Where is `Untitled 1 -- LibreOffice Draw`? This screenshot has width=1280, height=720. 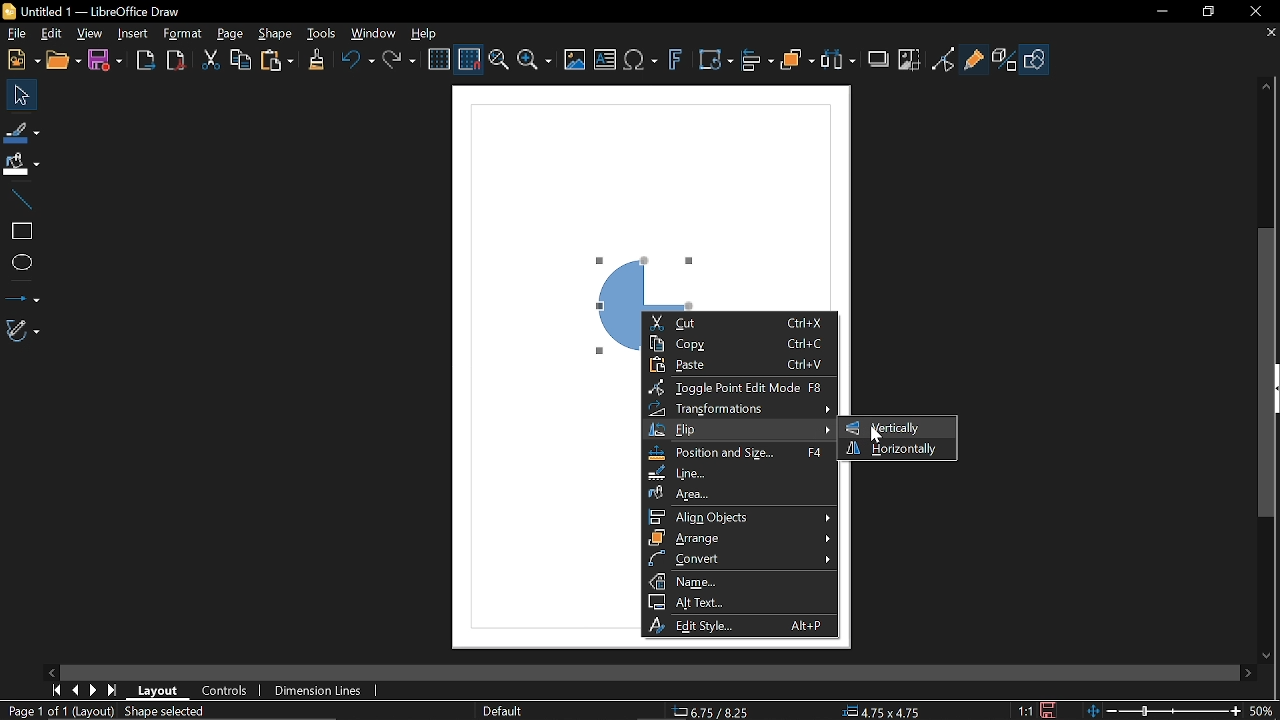
Untitled 1 -- LibreOffice Draw is located at coordinates (112, 10).